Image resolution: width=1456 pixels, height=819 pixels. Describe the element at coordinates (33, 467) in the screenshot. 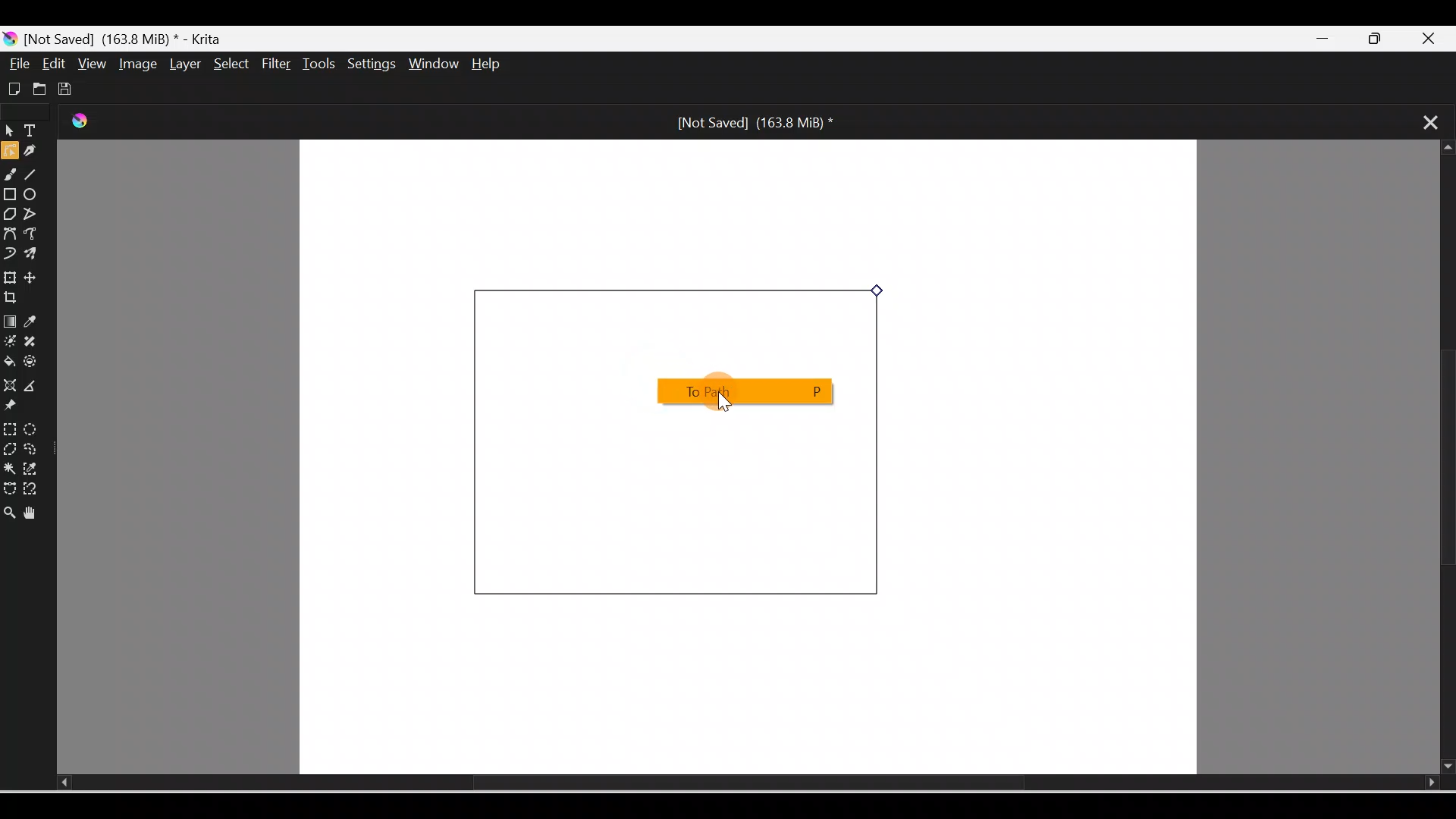

I see `Similar color selection tool` at that location.